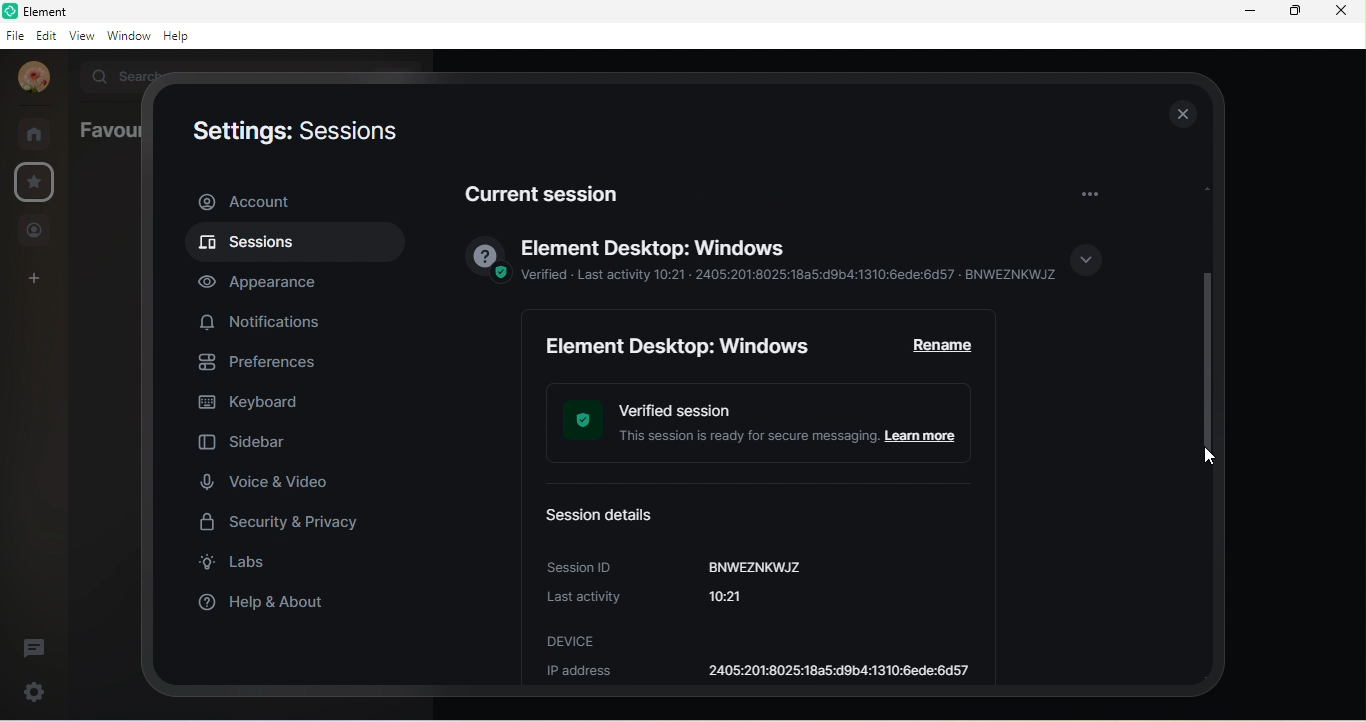 The width and height of the screenshot is (1366, 722). What do you see at coordinates (1086, 262) in the screenshot?
I see `show details` at bounding box center [1086, 262].